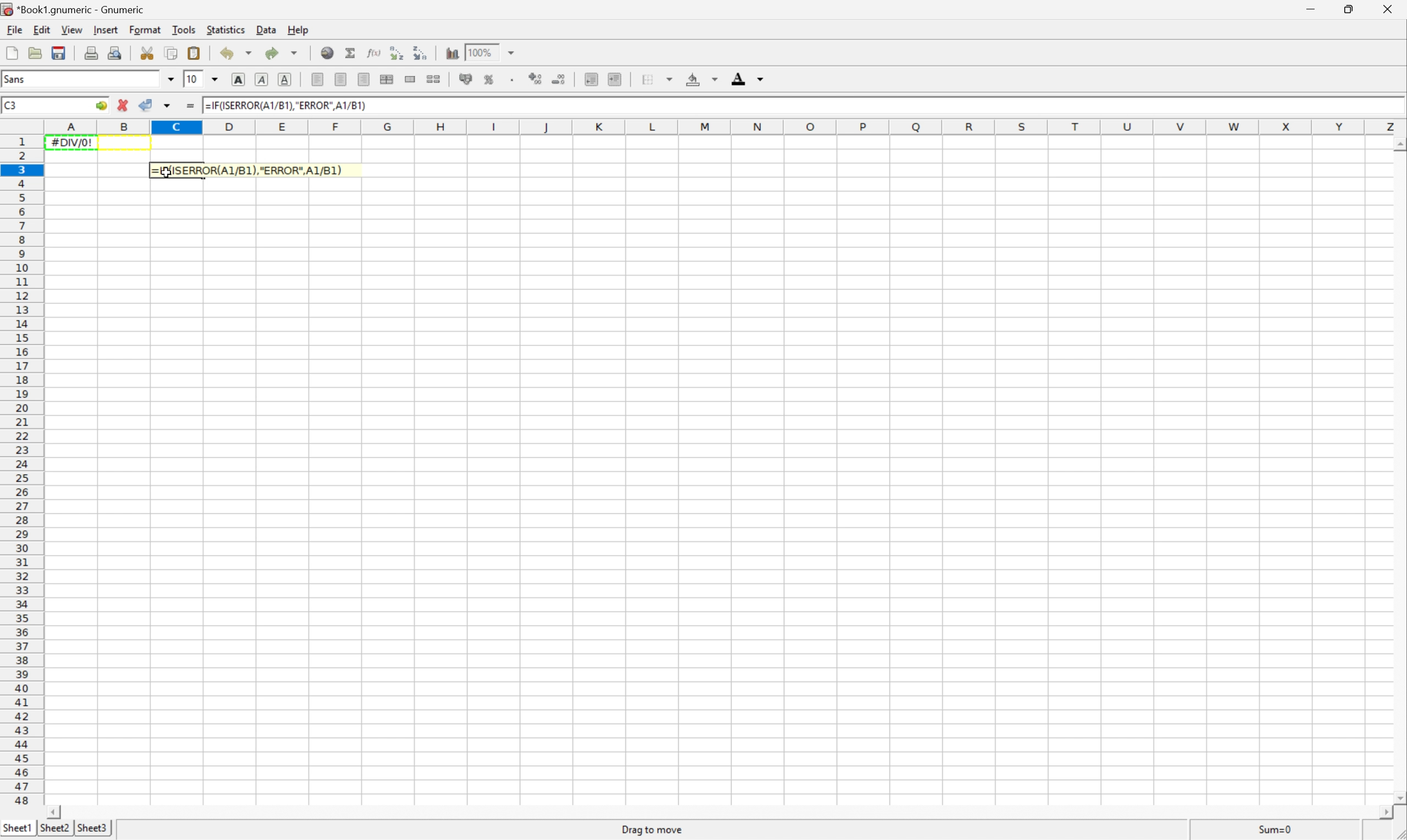 The height and width of the screenshot is (840, 1407). Describe the element at coordinates (617, 80) in the screenshot. I see `Increase the indent, and align the contents to left` at that location.